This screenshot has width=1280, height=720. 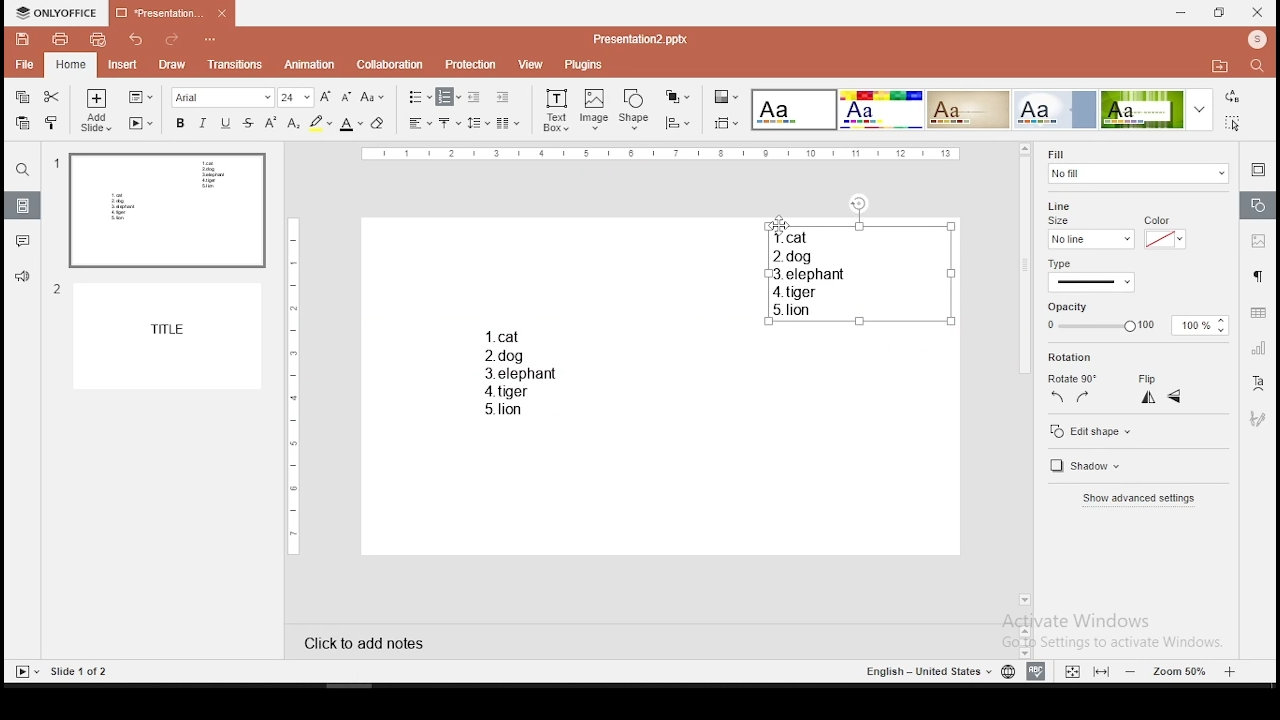 What do you see at coordinates (1258, 172) in the screenshot?
I see `slide settings` at bounding box center [1258, 172].